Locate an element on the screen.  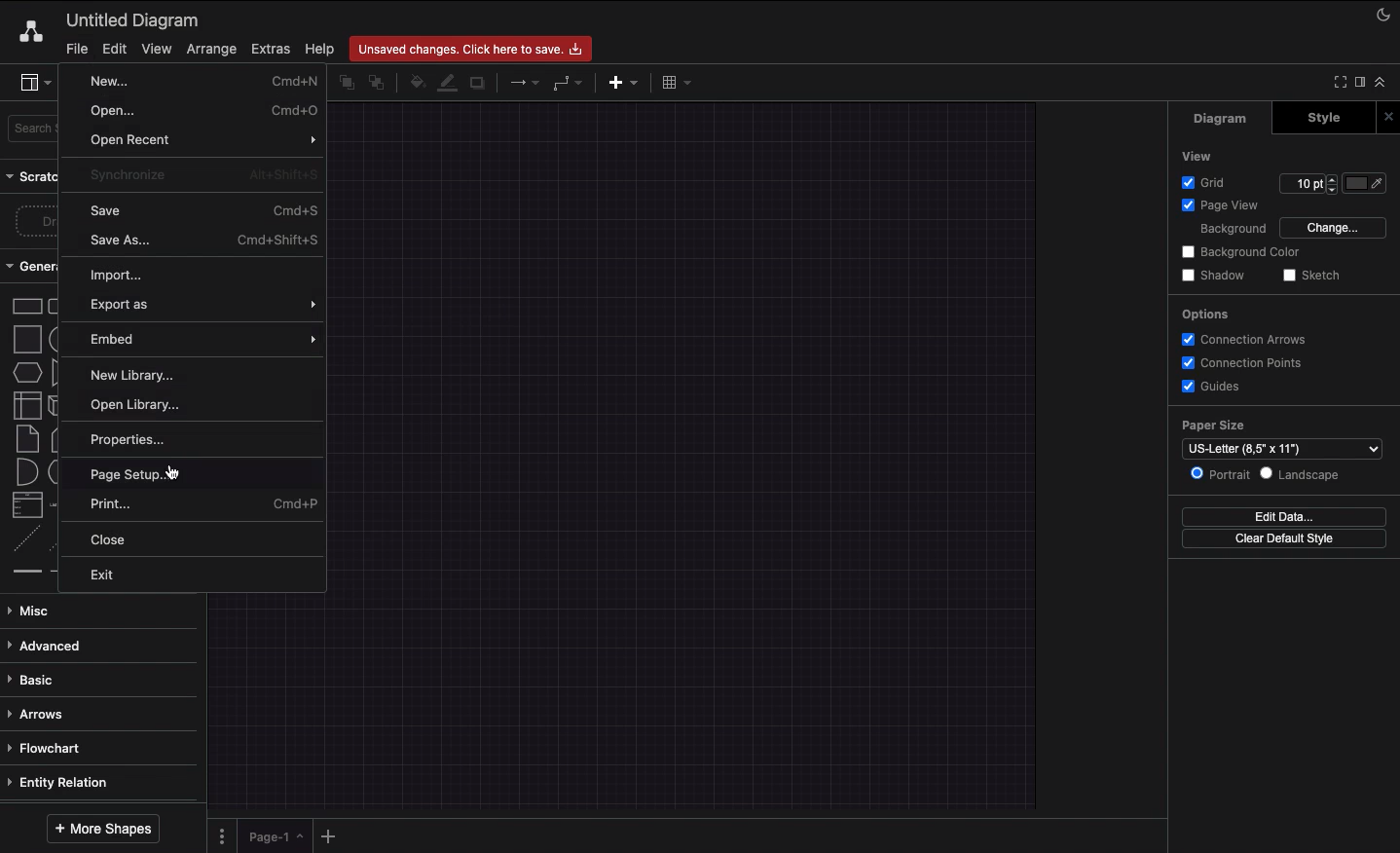
Cursor is located at coordinates (172, 471).